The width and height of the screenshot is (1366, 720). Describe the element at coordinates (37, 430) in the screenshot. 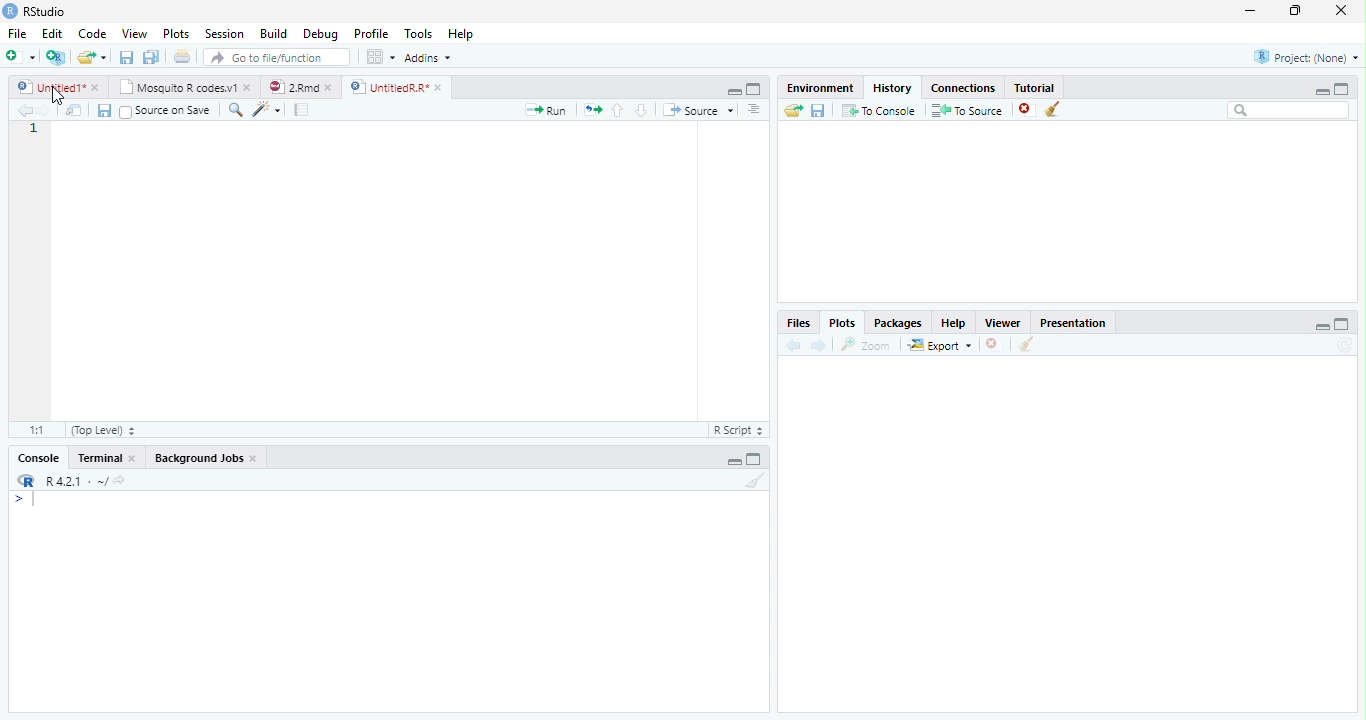

I see `1:1` at that location.